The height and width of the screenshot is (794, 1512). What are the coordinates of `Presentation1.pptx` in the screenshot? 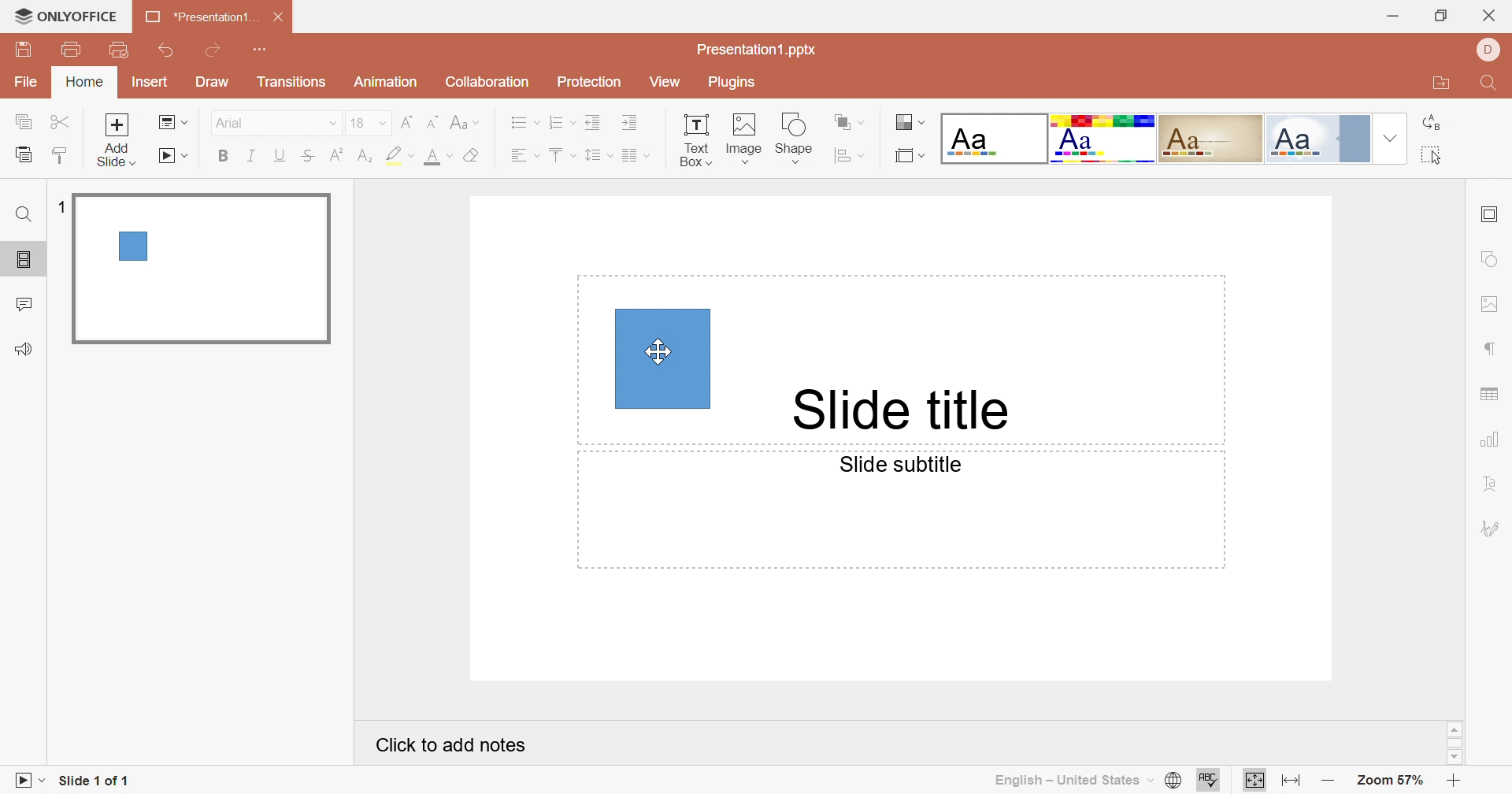 It's located at (764, 51).